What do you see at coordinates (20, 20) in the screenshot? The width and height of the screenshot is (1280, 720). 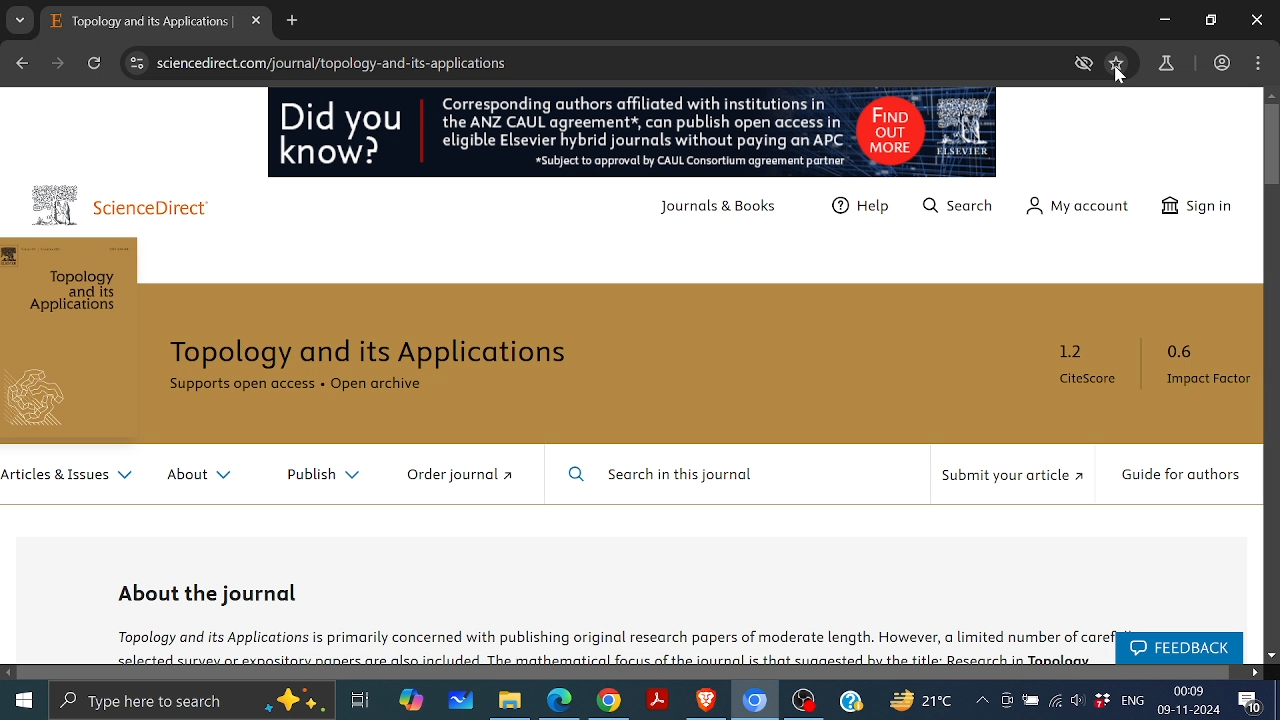 I see `Search tabs` at bounding box center [20, 20].